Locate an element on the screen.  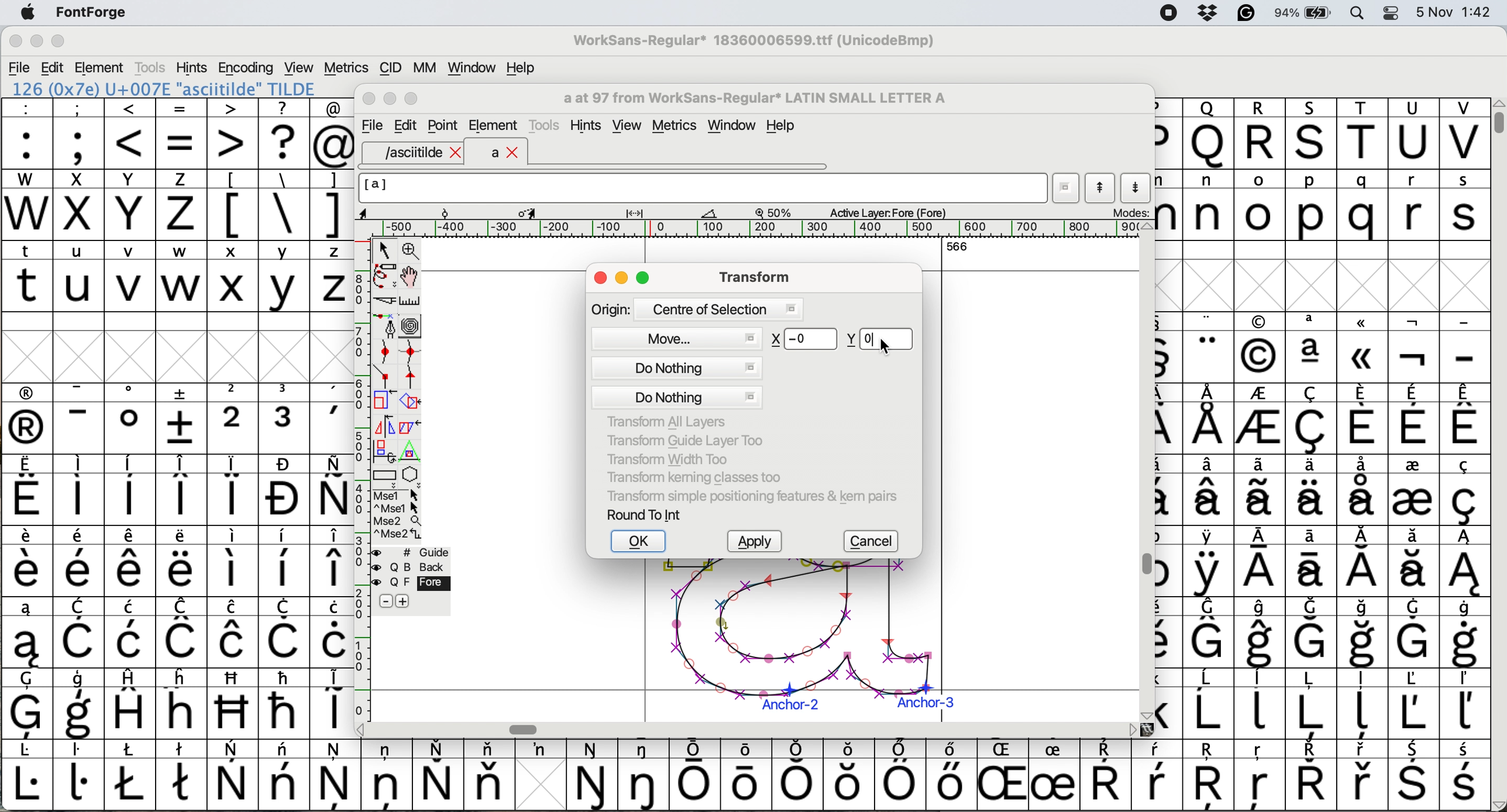
symbol is located at coordinates (1054, 776).